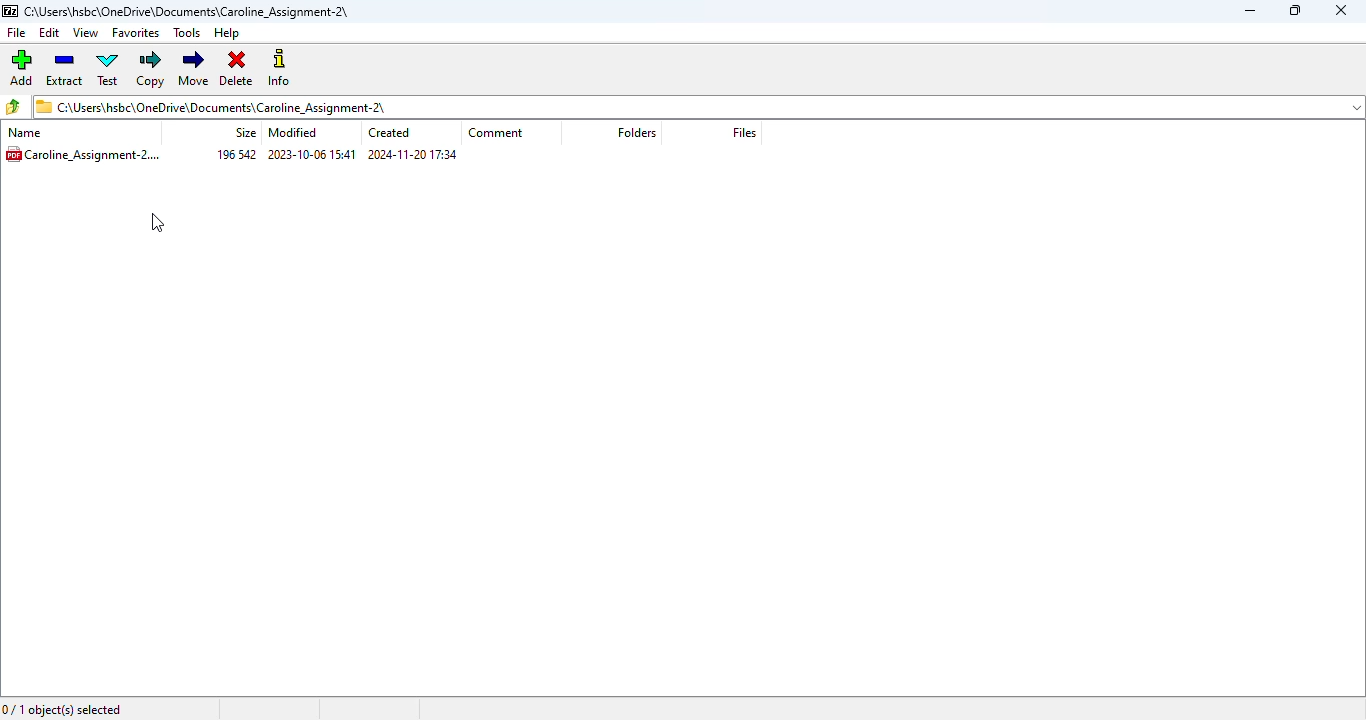  What do you see at coordinates (187, 33) in the screenshot?
I see `tools` at bounding box center [187, 33].